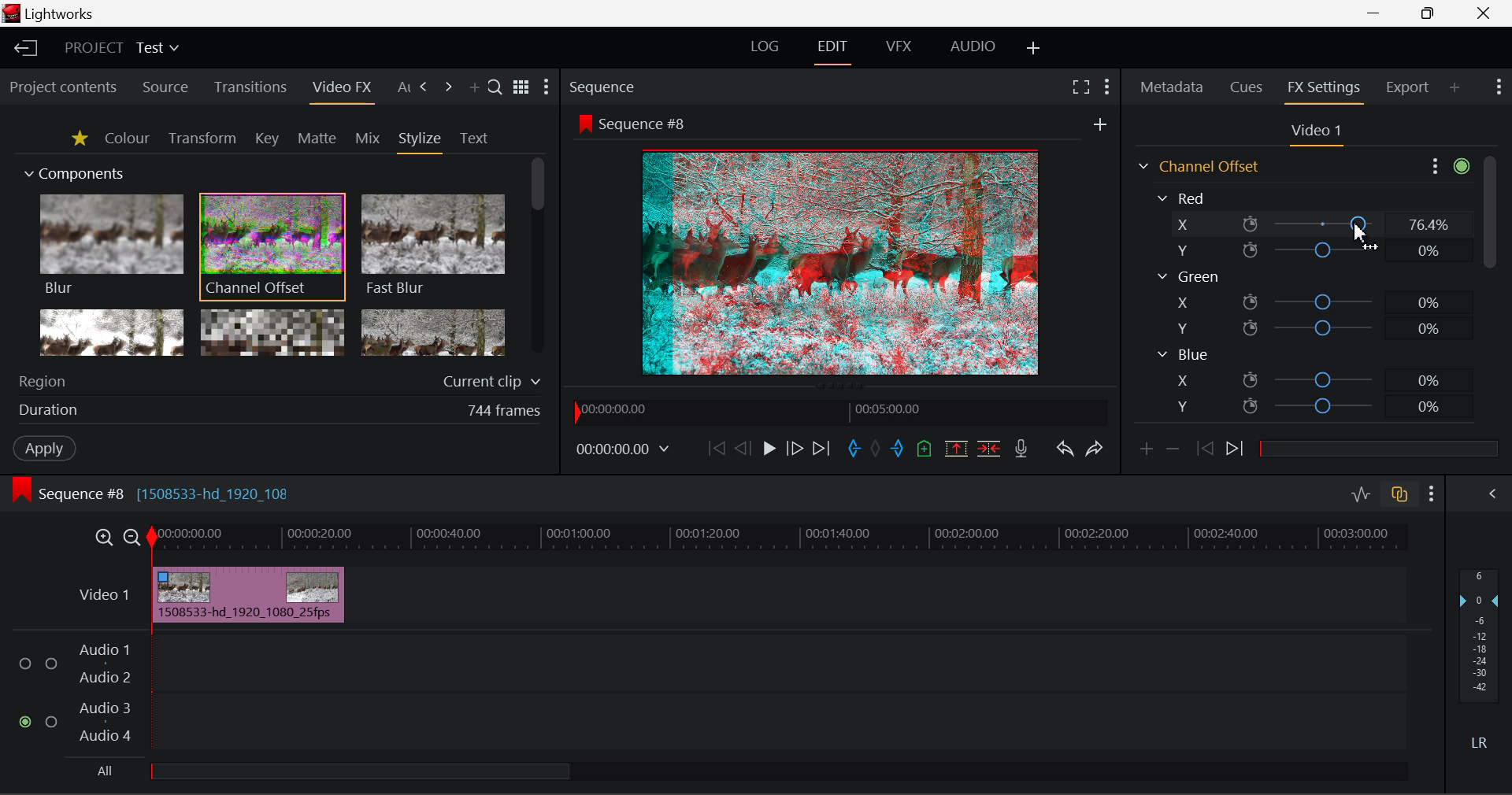 The height and width of the screenshot is (795, 1512). What do you see at coordinates (825, 449) in the screenshot?
I see `To End` at bounding box center [825, 449].